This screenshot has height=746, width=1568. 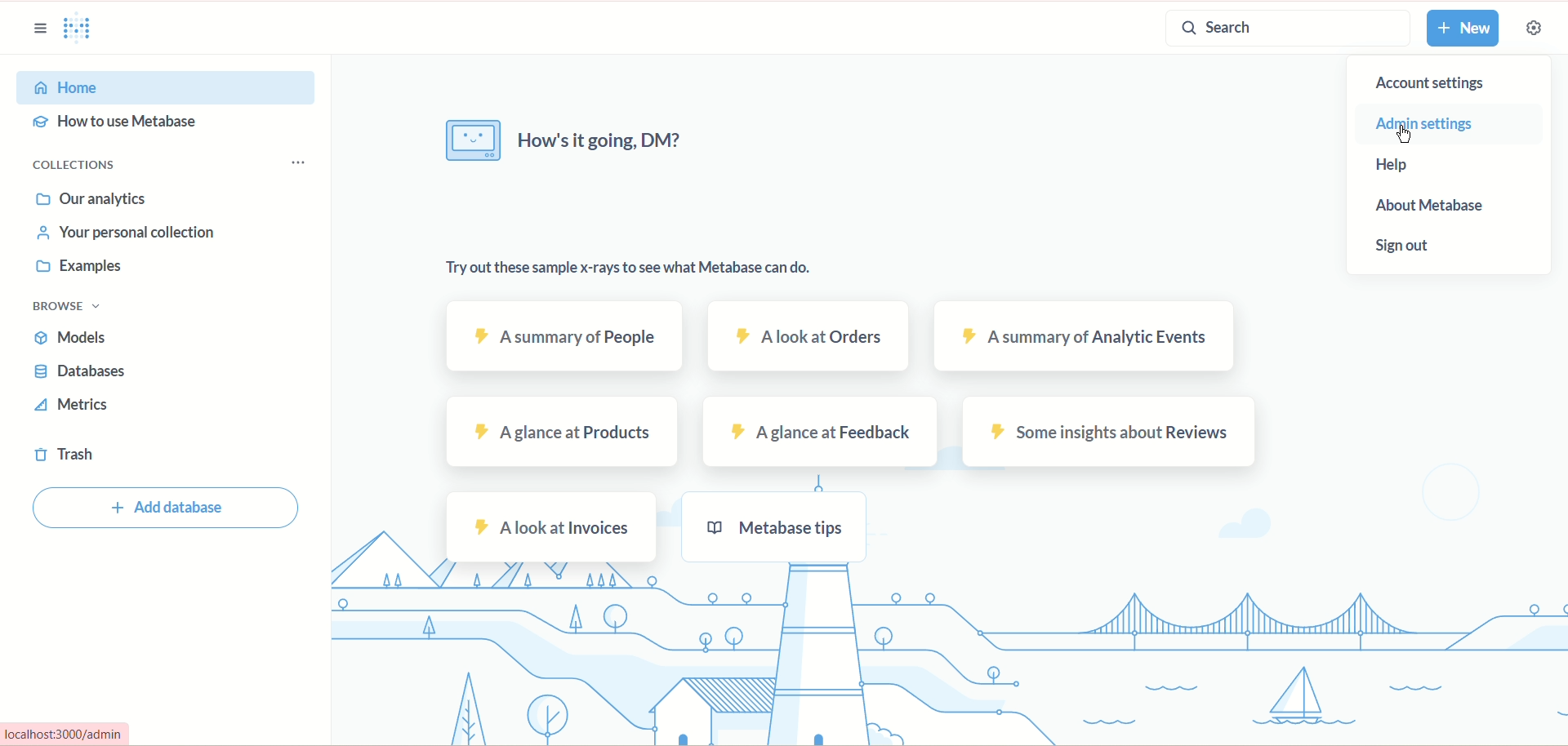 What do you see at coordinates (87, 202) in the screenshot?
I see `our analytics` at bounding box center [87, 202].